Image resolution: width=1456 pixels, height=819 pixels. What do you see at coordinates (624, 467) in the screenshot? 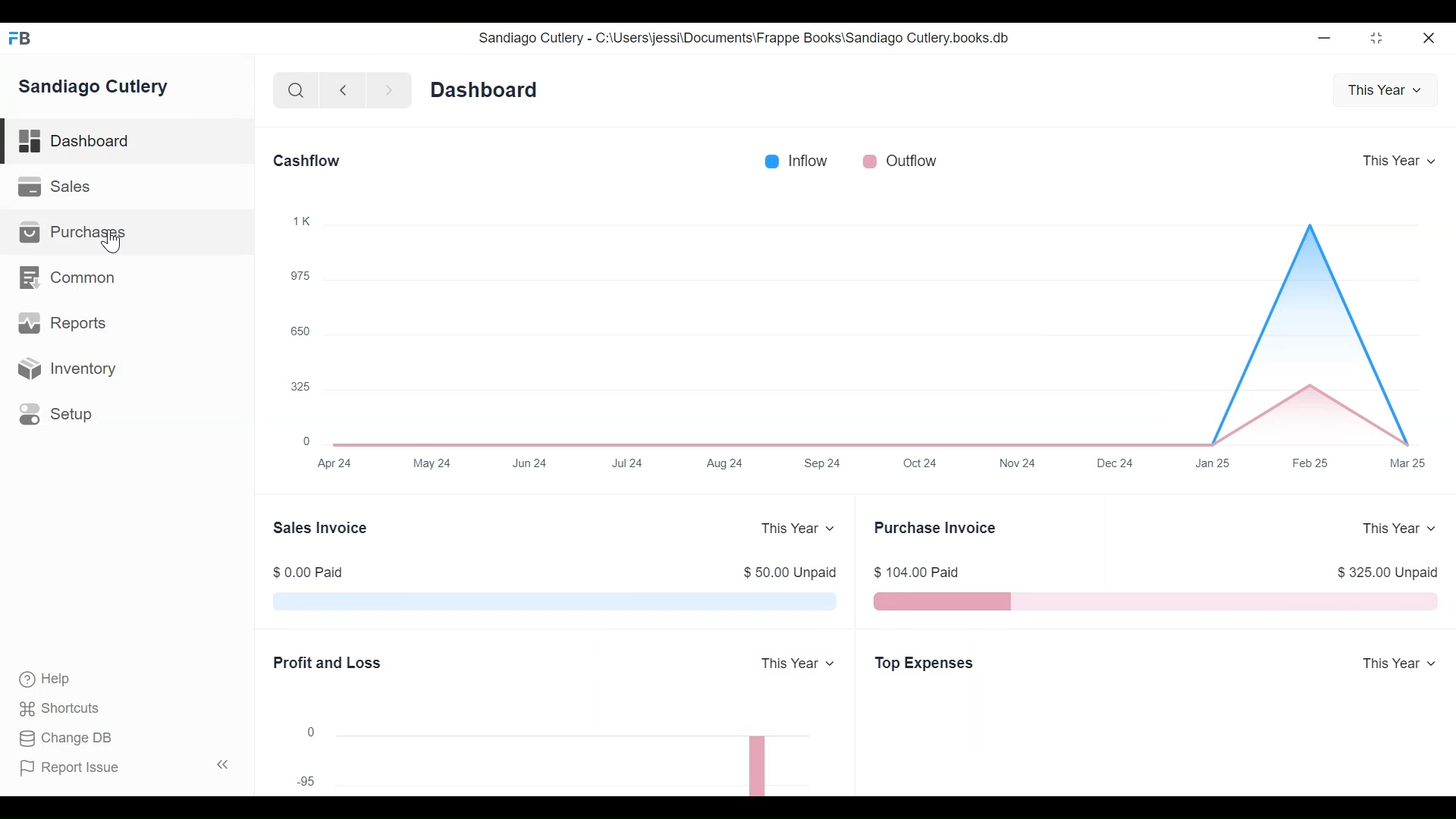
I see `Jul 24` at bounding box center [624, 467].